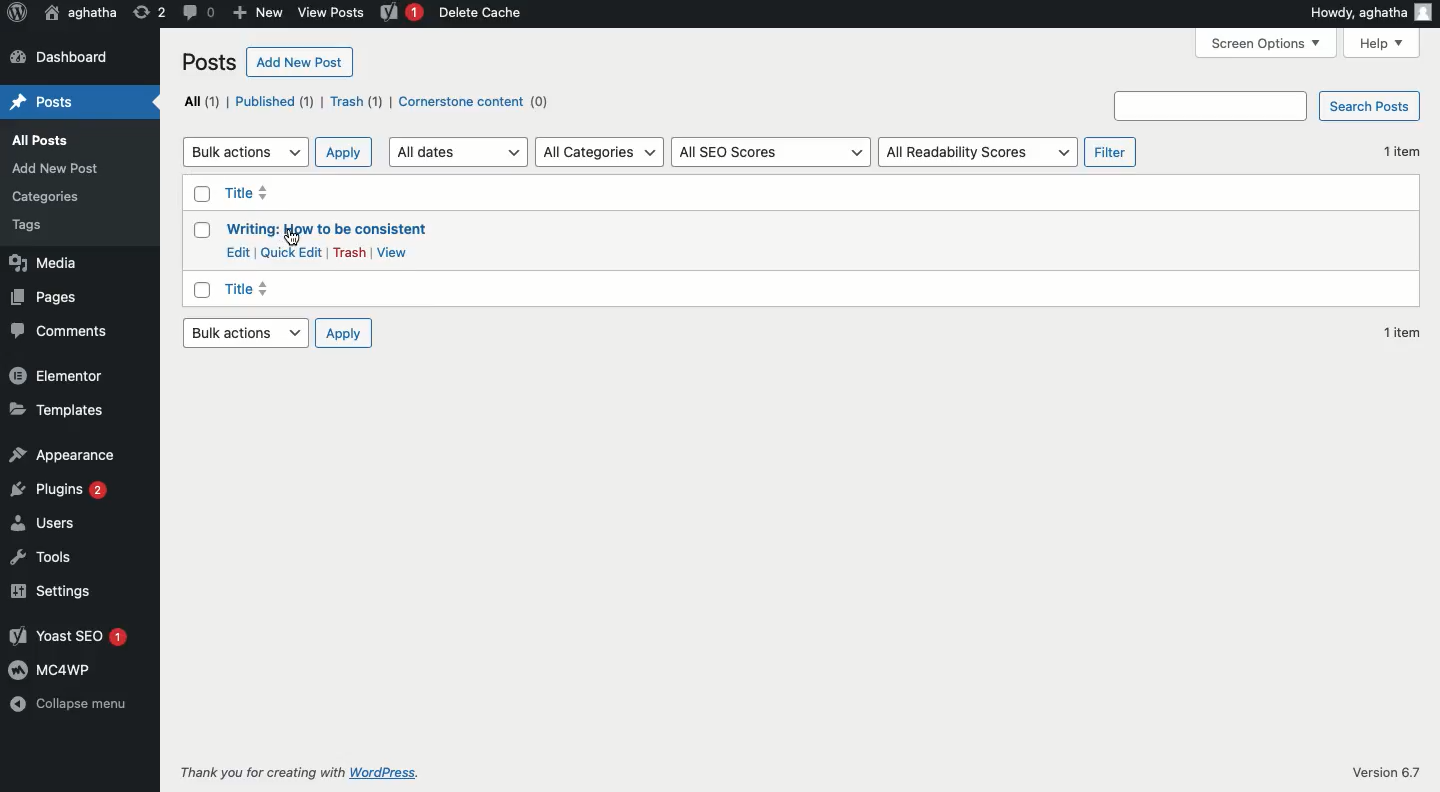 The image size is (1440, 792). I want to click on Apply, so click(345, 152).